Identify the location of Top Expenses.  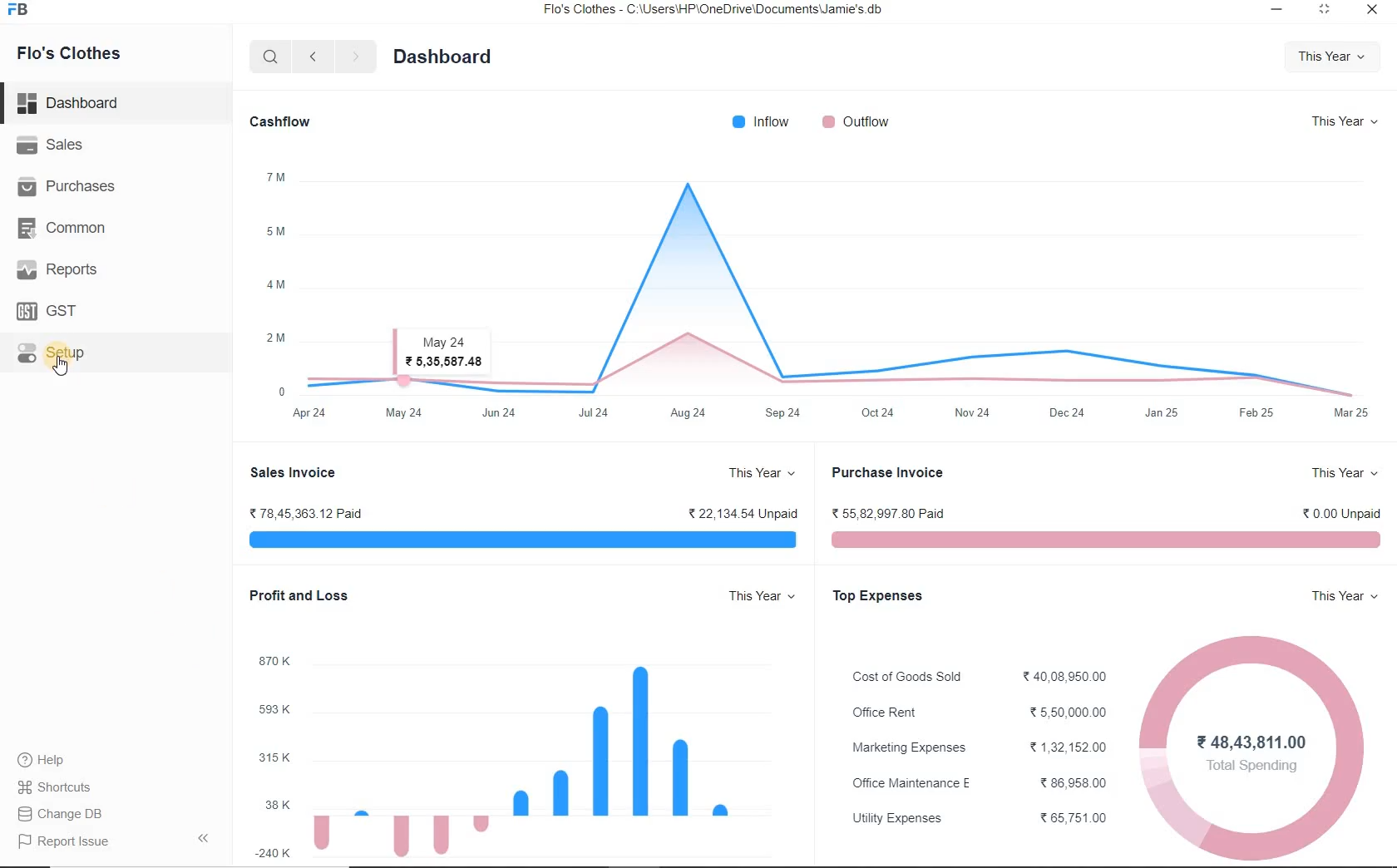
(879, 596).